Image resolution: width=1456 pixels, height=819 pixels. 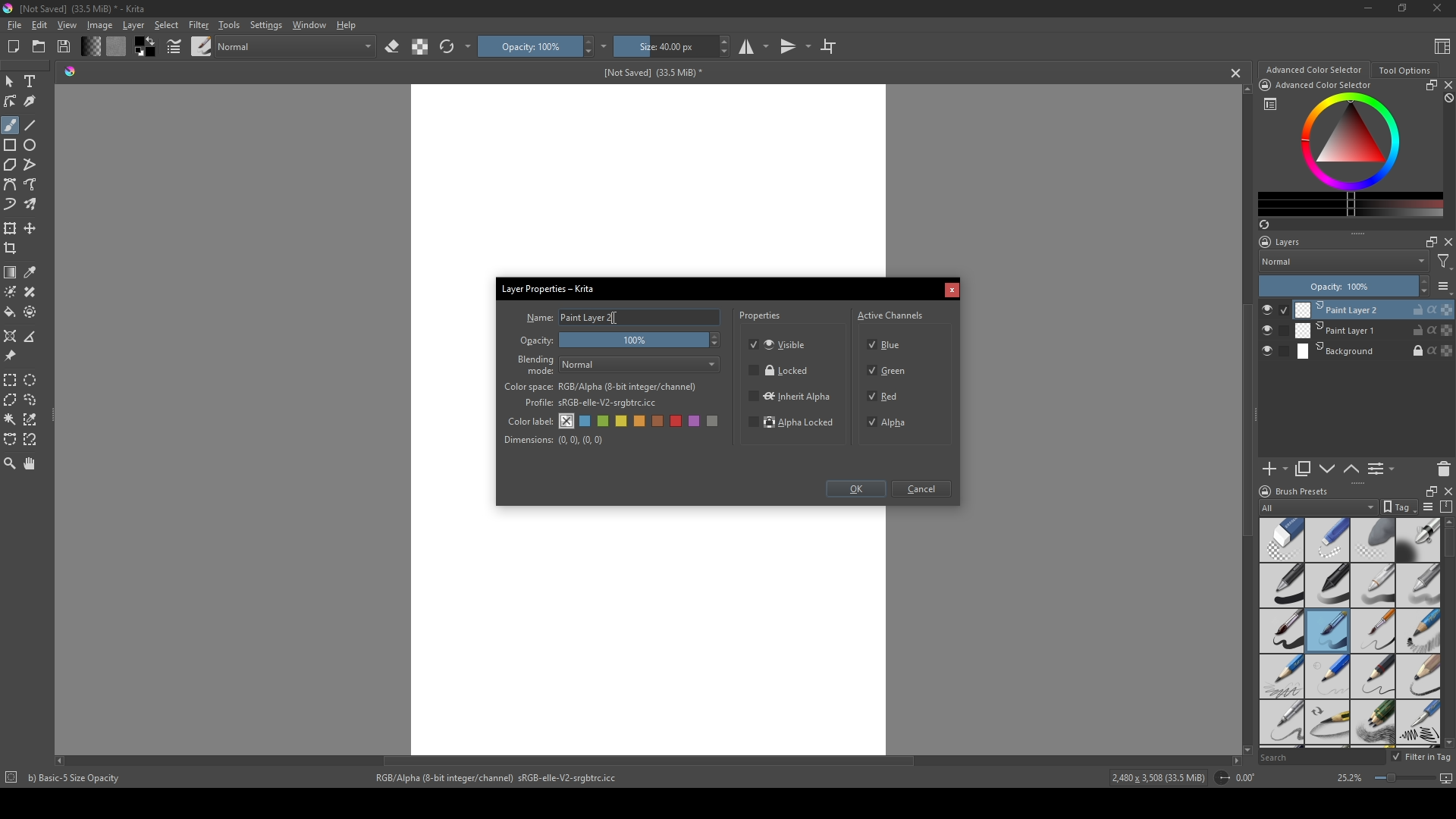 What do you see at coordinates (1326, 676) in the screenshot?
I see `pencil` at bounding box center [1326, 676].